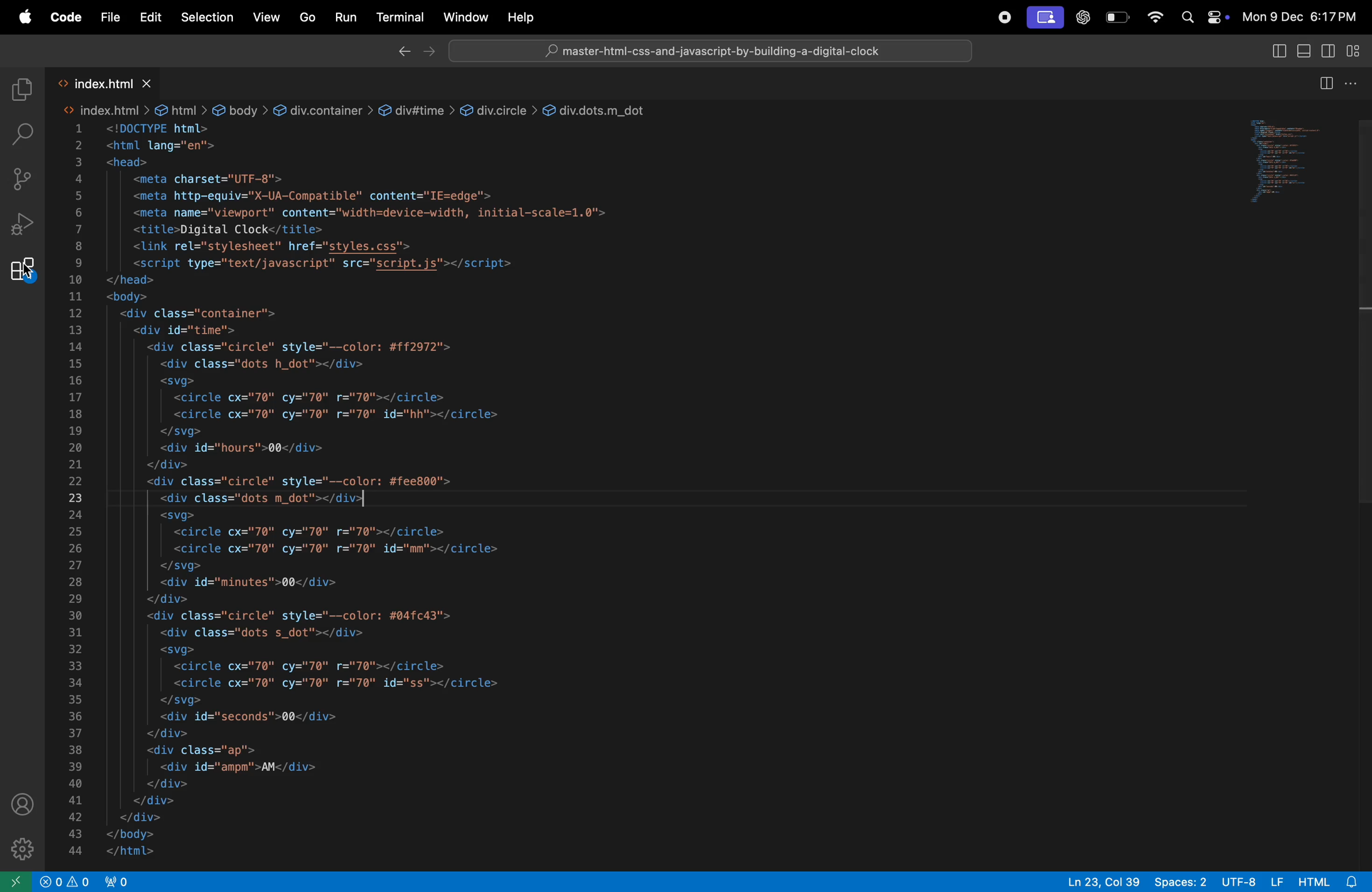  I want to click on split editor, so click(1322, 83).